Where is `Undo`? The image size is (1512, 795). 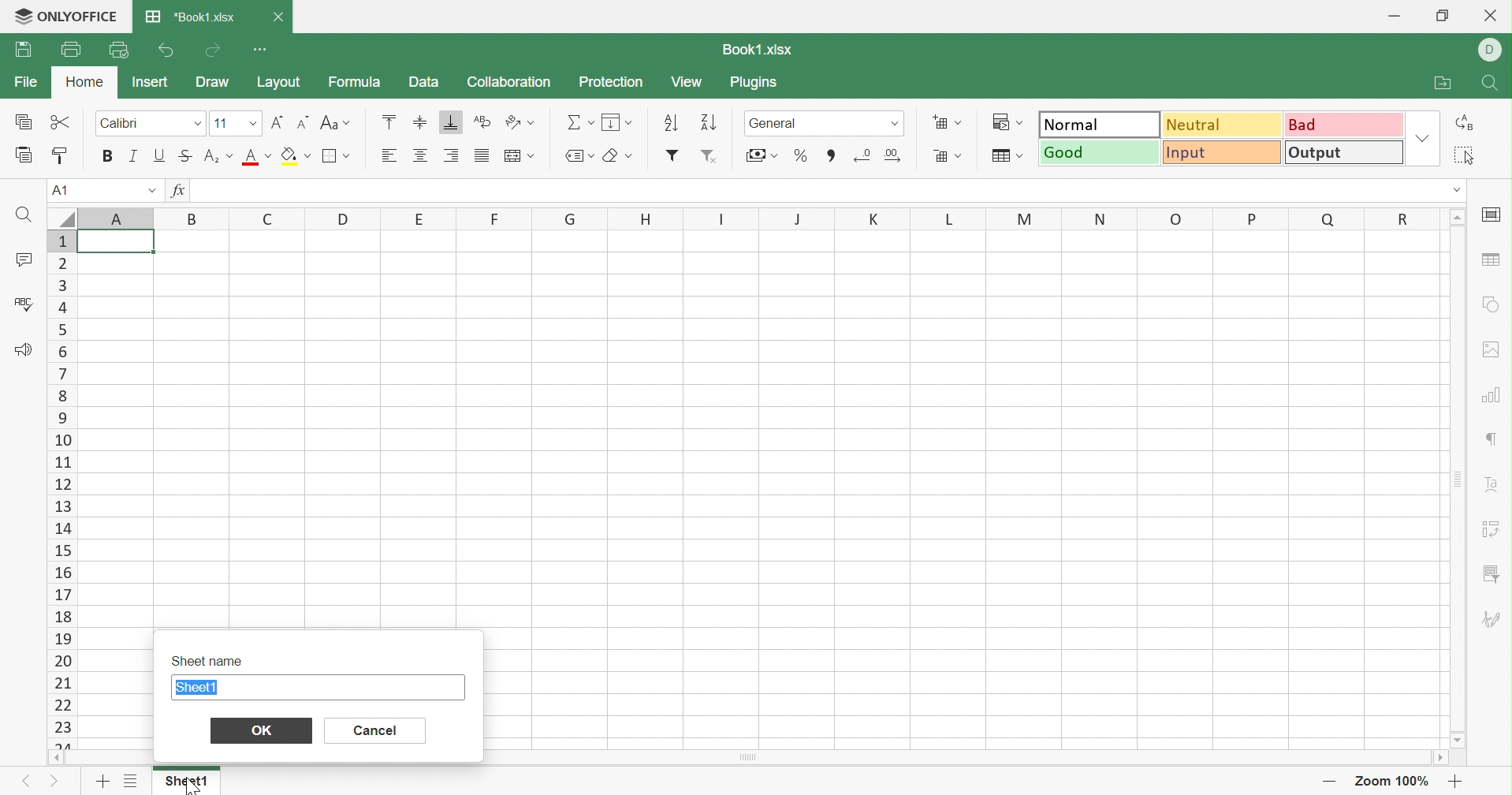 Undo is located at coordinates (166, 50).